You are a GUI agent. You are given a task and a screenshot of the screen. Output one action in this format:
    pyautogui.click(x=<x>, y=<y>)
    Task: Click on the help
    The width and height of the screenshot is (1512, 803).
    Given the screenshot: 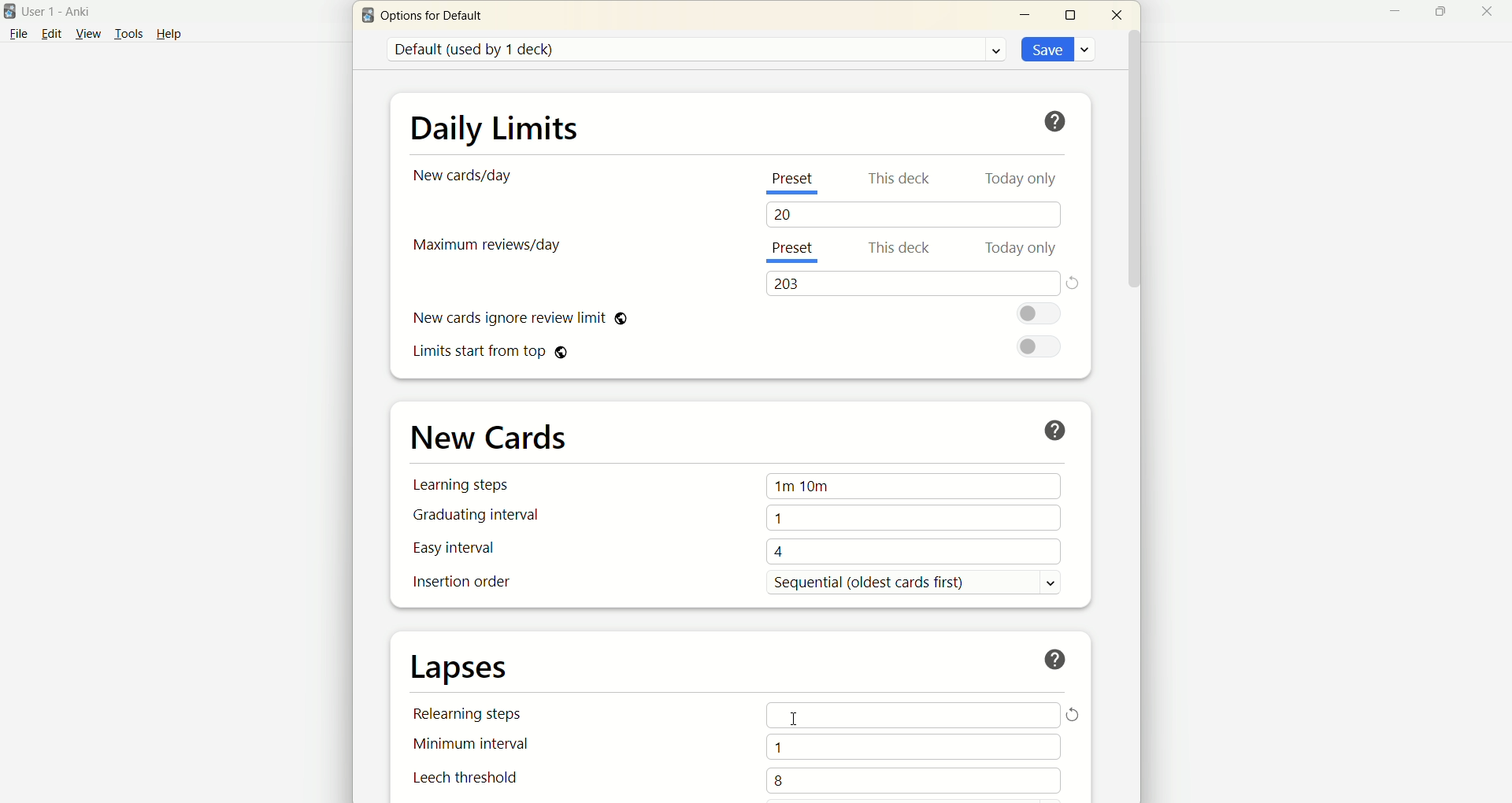 What is the action you would take?
    pyautogui.click(x=1055, y=121)
    